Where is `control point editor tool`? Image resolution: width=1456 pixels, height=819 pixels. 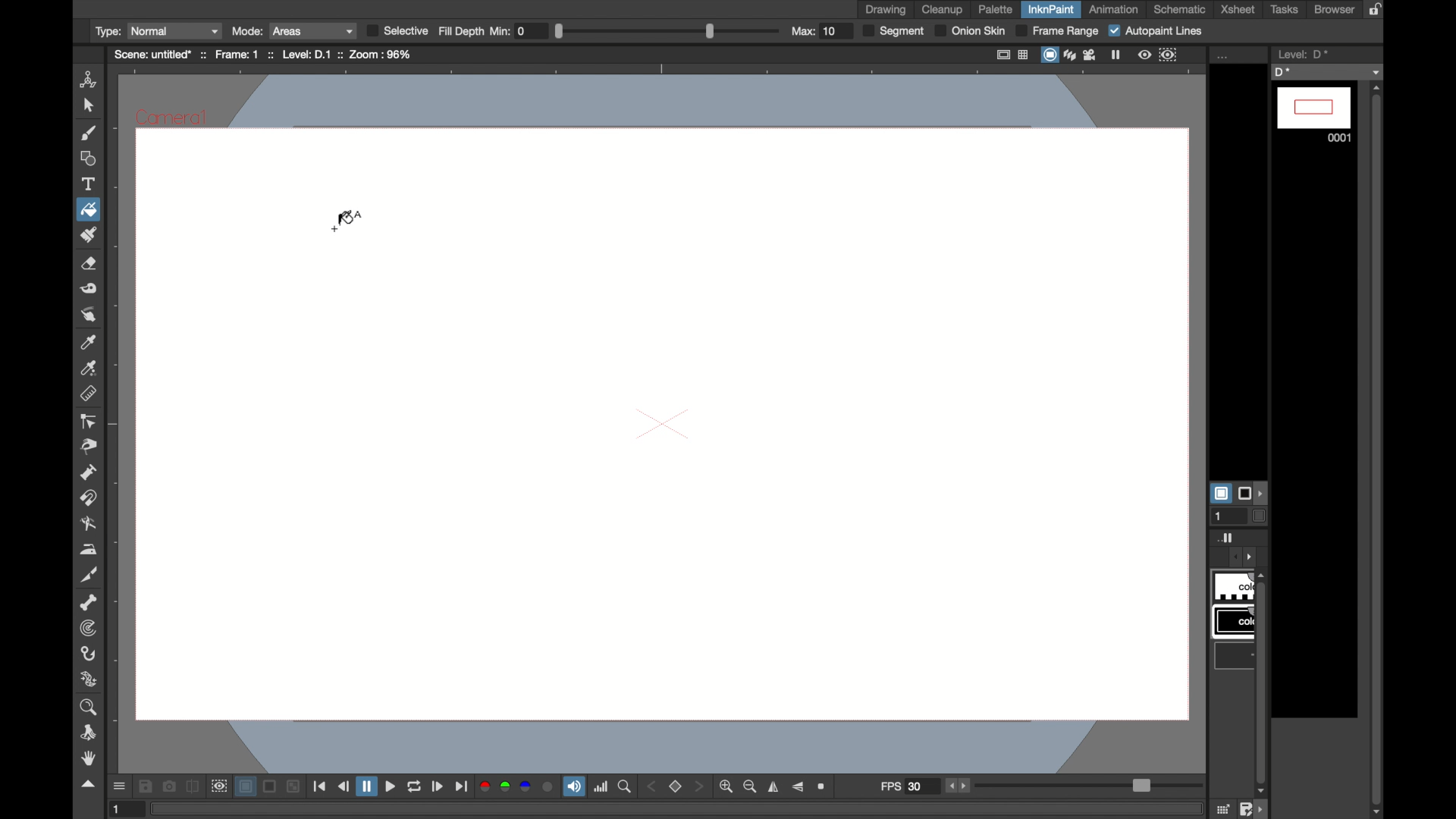 control point editor tool is located at coordinates (87, 421).